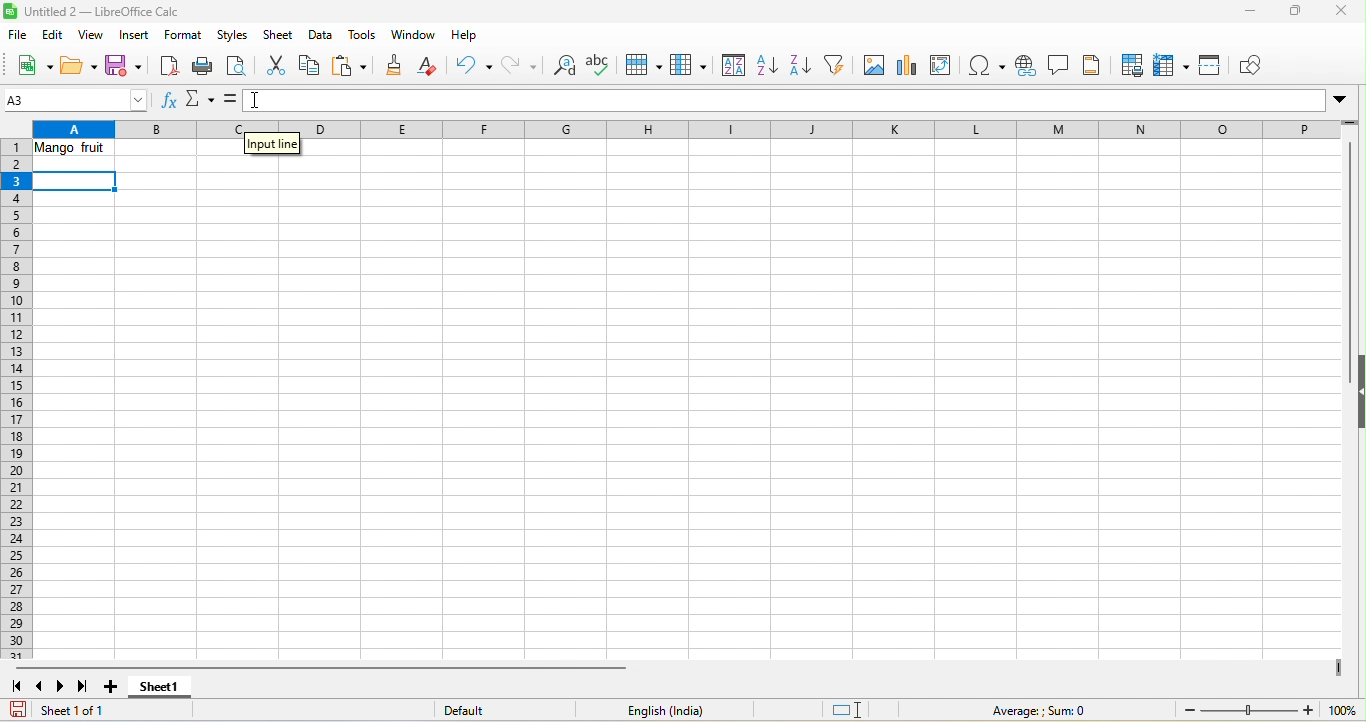  I want to click on input file, so click(271, 144).